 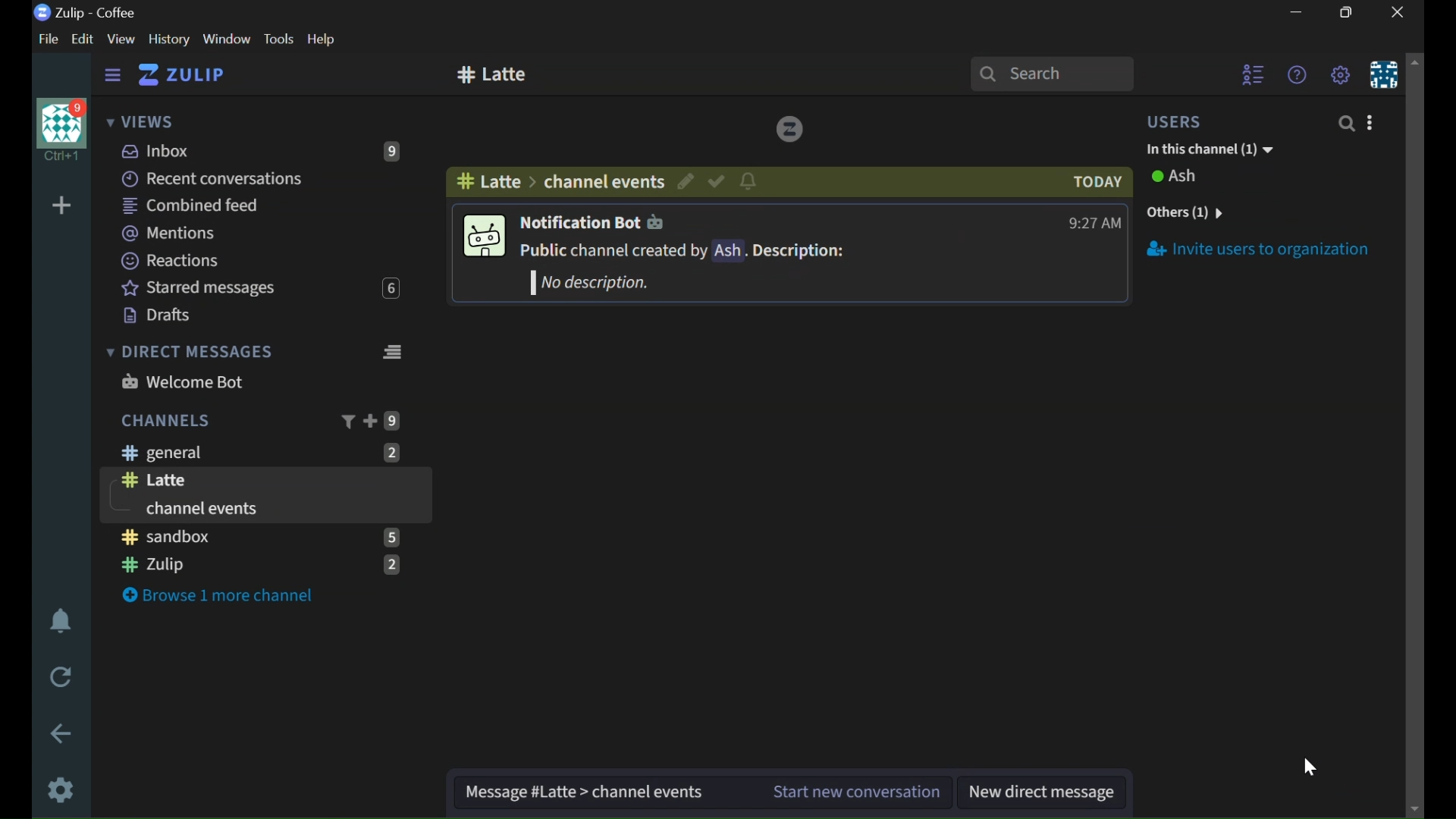 What do you see at coordinates (1263, 251) in the screenshot?
I see `Invite users to organization` at bounding box center [1263, 251].